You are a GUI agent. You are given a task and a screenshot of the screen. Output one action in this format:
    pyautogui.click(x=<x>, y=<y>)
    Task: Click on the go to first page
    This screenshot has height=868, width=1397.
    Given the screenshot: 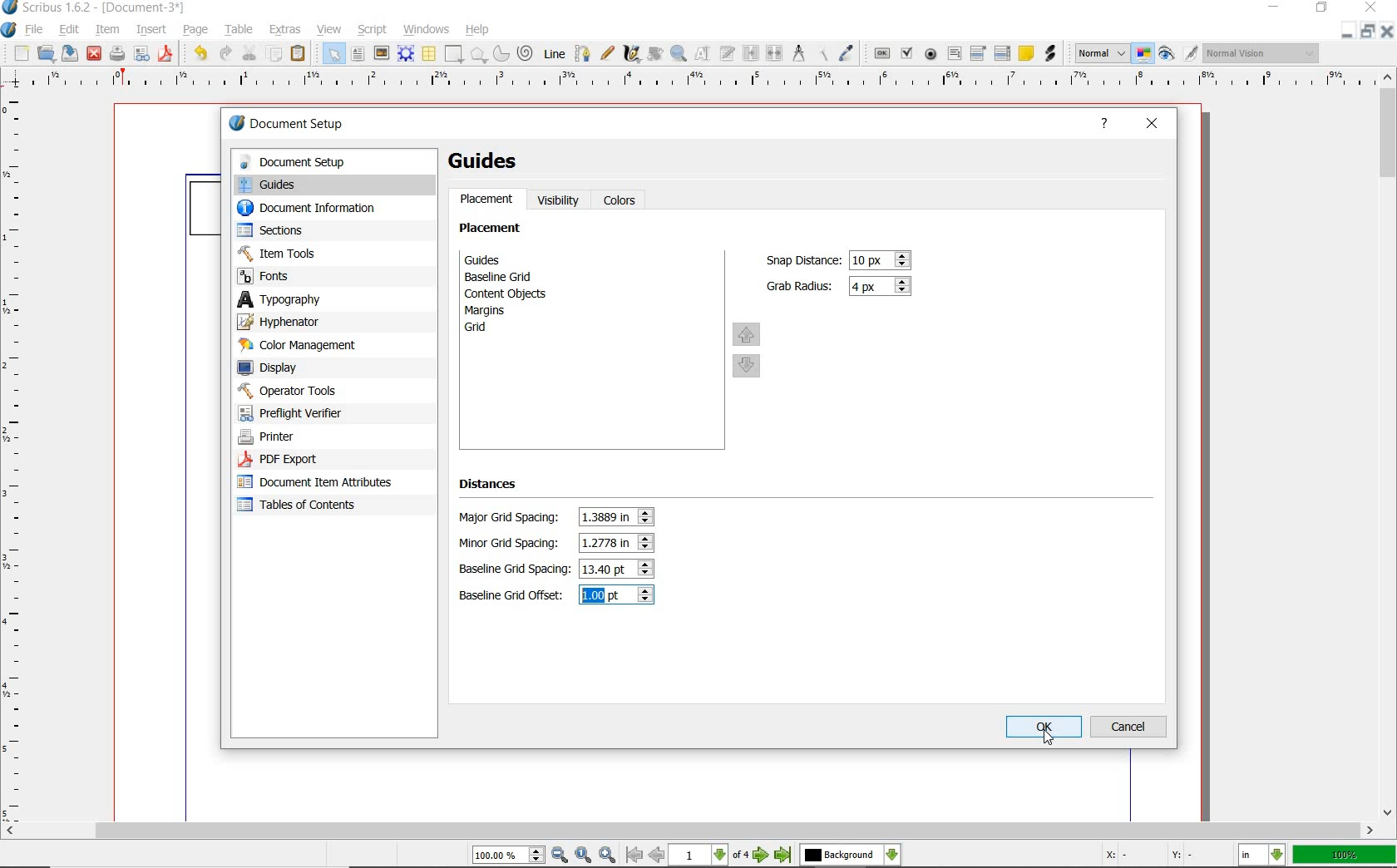 What is the action you would take?
    pyautogui.click(x=634, y=856)
    